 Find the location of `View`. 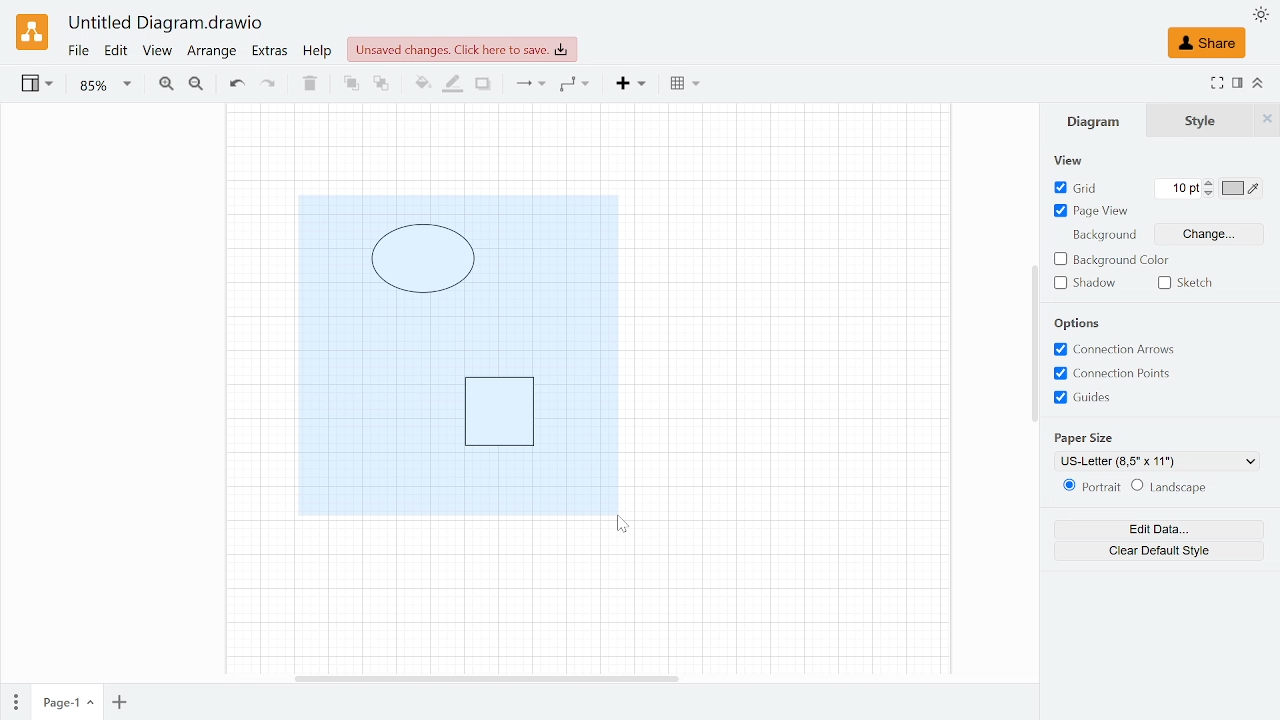

View is located at coordinates (158, 53).